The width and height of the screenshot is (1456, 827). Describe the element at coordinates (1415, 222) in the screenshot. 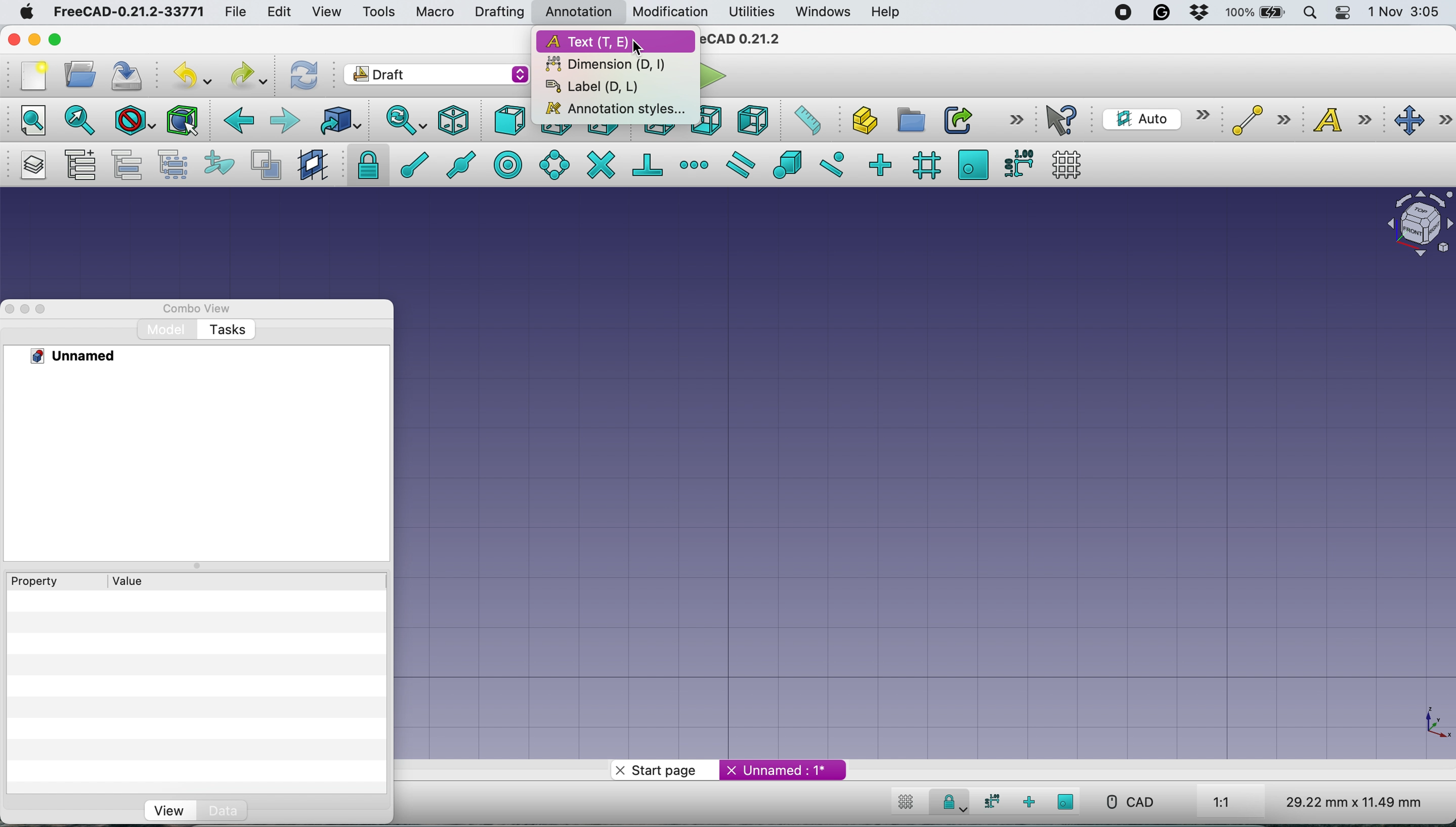

I see `object interface` at that location.